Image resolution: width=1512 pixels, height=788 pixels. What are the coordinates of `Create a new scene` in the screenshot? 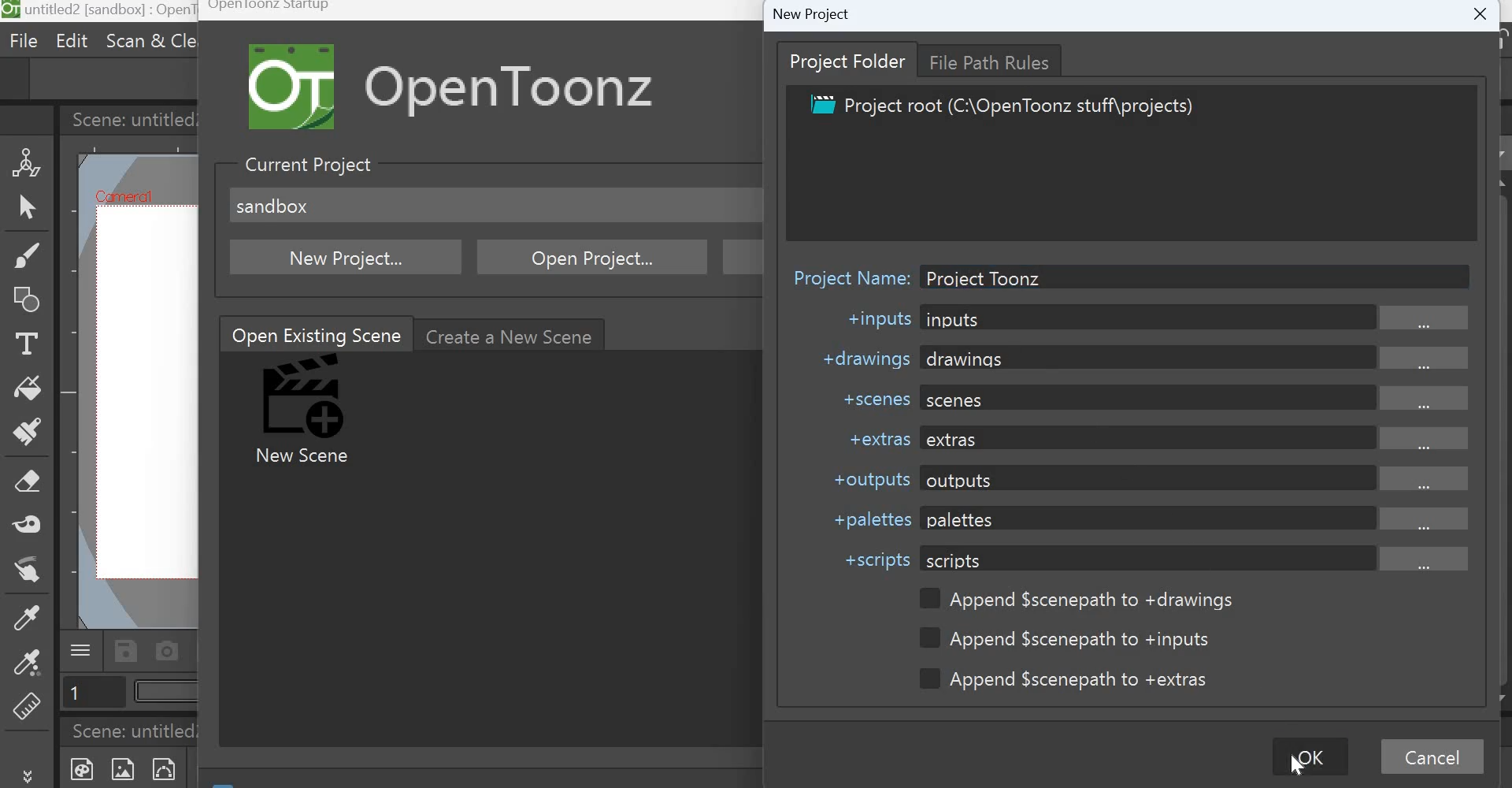 It's located at (510, 334).